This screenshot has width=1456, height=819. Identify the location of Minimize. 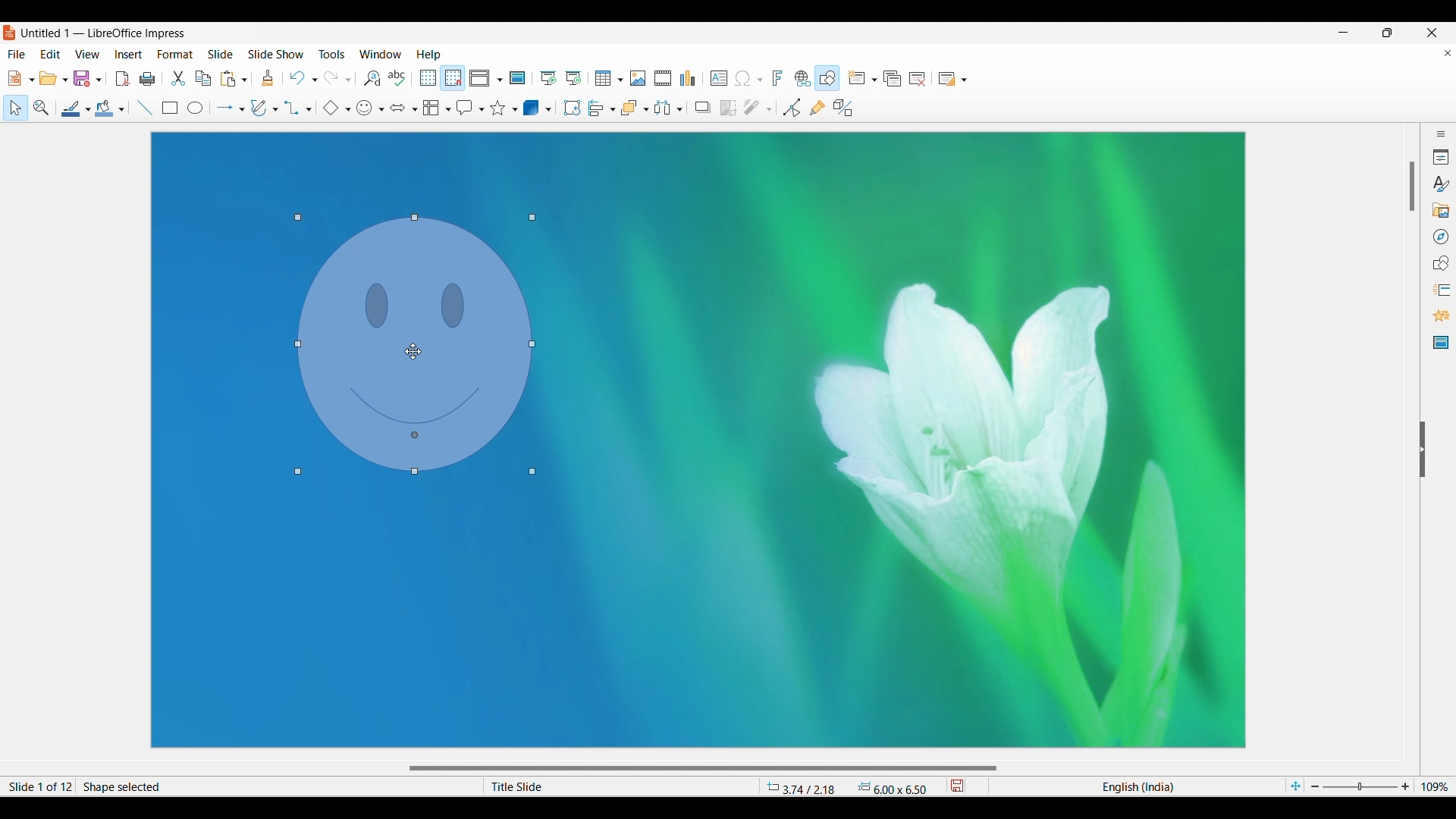
(1344, 33).